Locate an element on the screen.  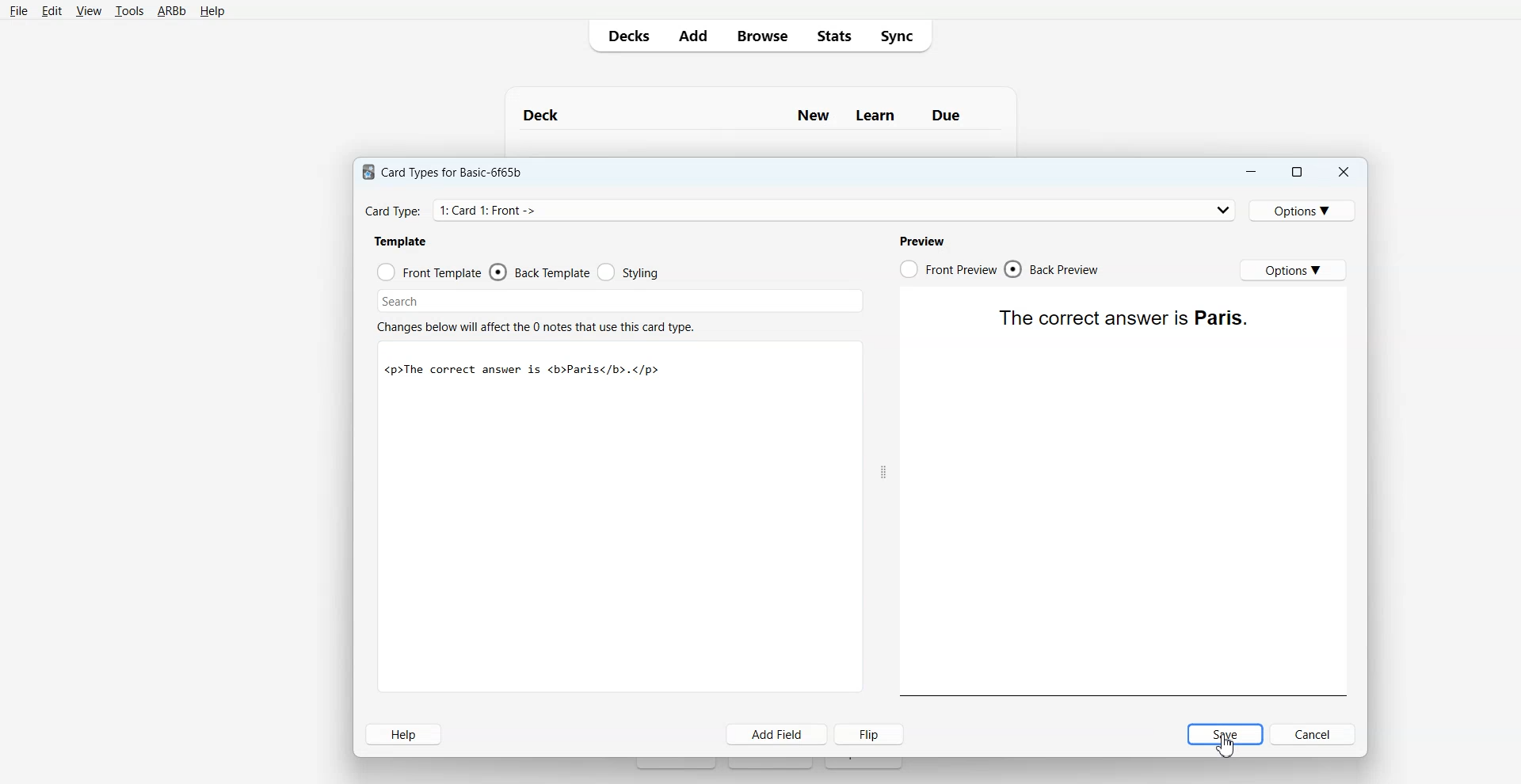
Add Field is located at coordinates (777, 734).